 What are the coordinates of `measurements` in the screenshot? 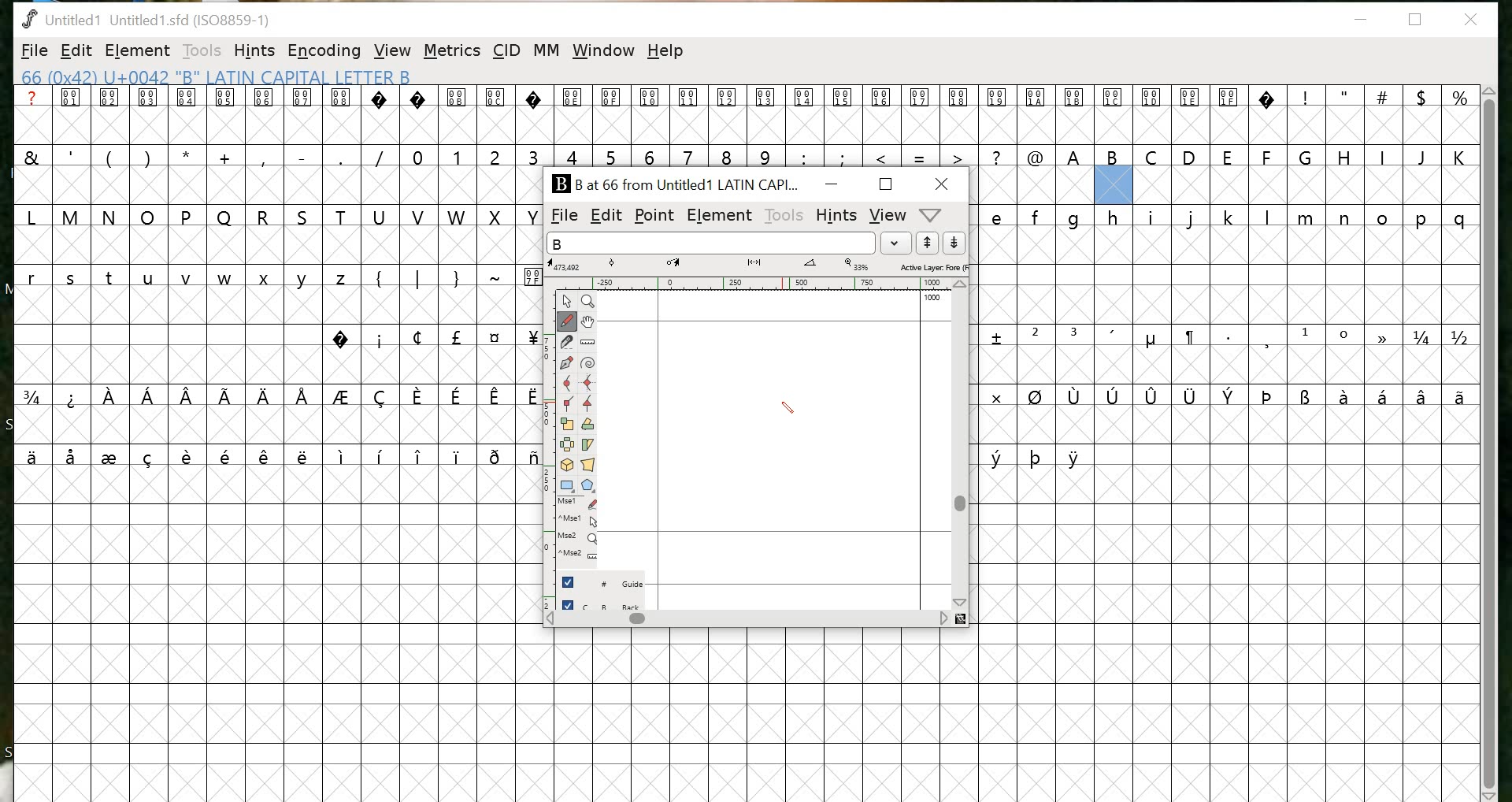 It's located at (760, 265).